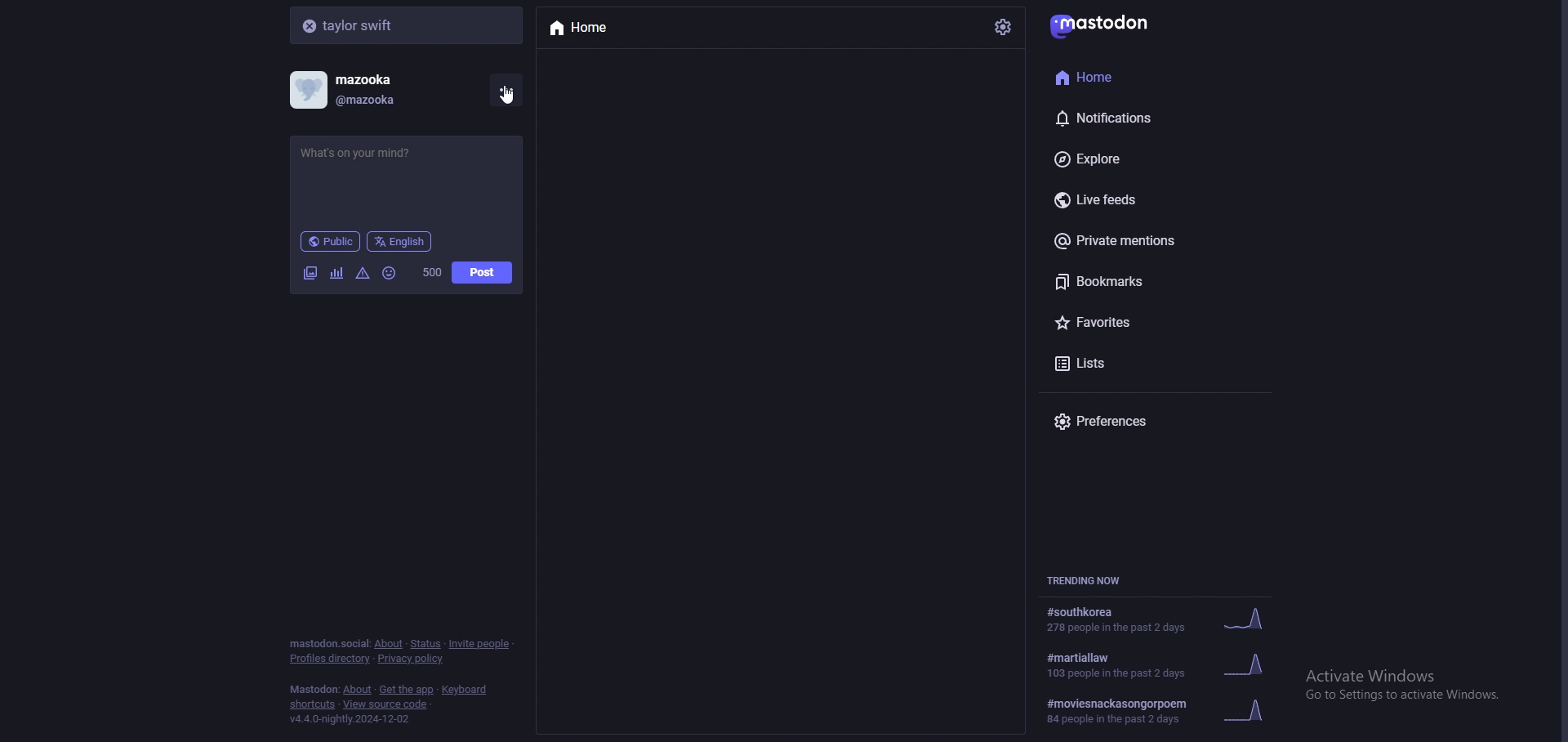  What do you see at coordinates (1147, 322) in the screenshot?
I see `favourites` at bounding box center [1147, 322].